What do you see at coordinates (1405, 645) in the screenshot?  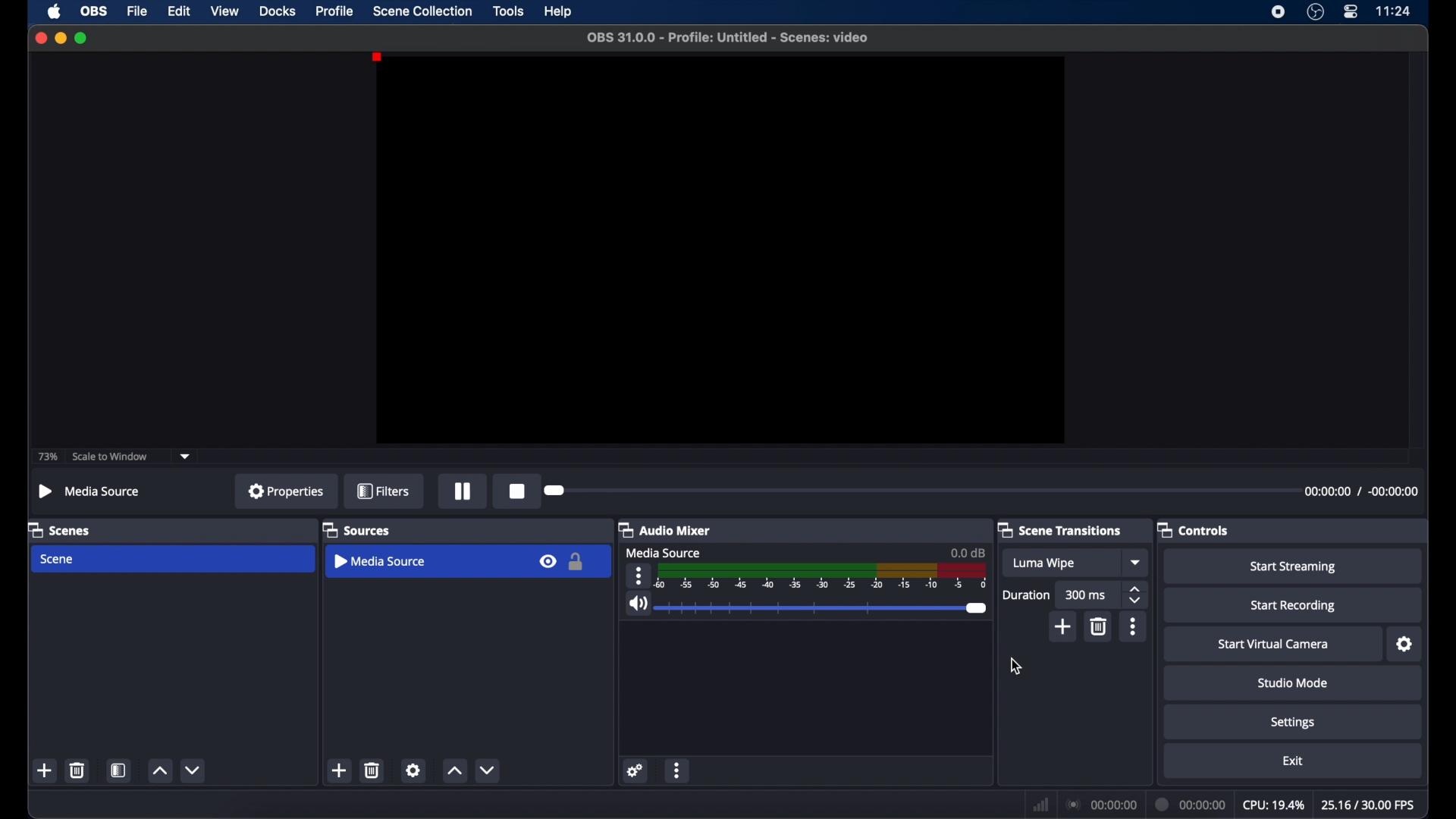 I see `settings` at bounding box center [1405, 645].